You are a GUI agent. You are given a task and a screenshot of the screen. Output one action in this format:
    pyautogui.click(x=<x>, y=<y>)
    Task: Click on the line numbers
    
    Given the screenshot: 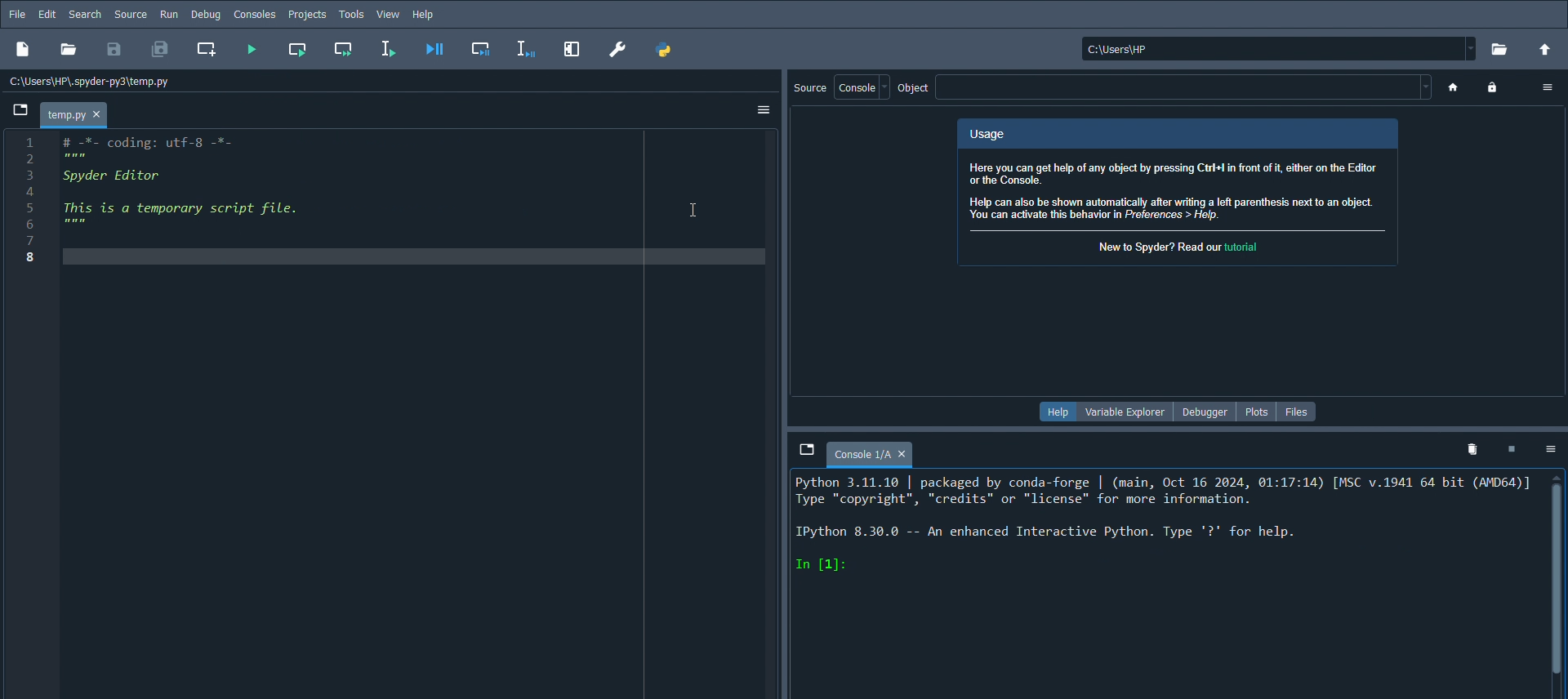 What is the action you would take?
    pyautogui.click(x=27, y=203)
    